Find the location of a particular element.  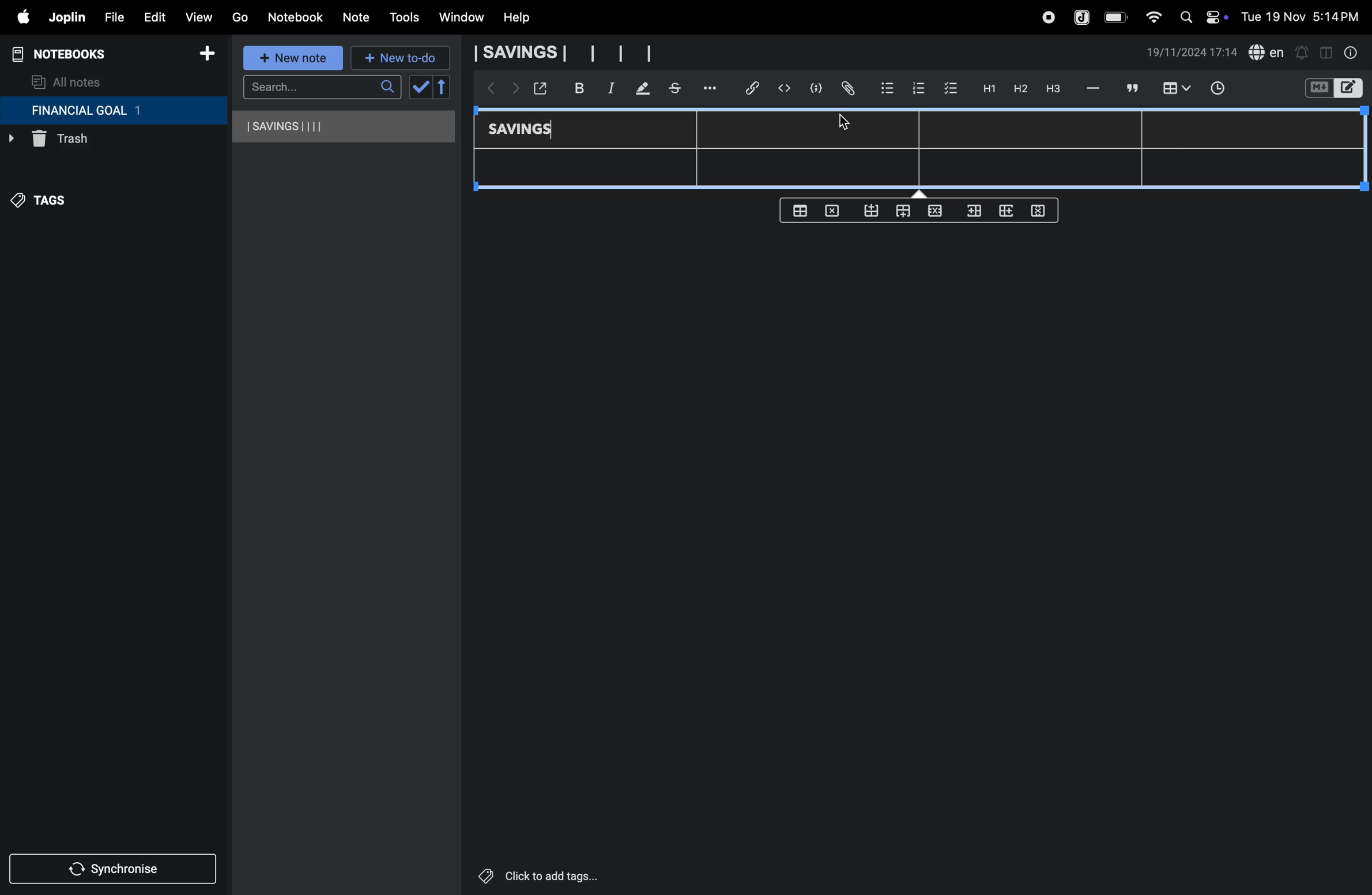

backward is located at coordinates (487, 89).